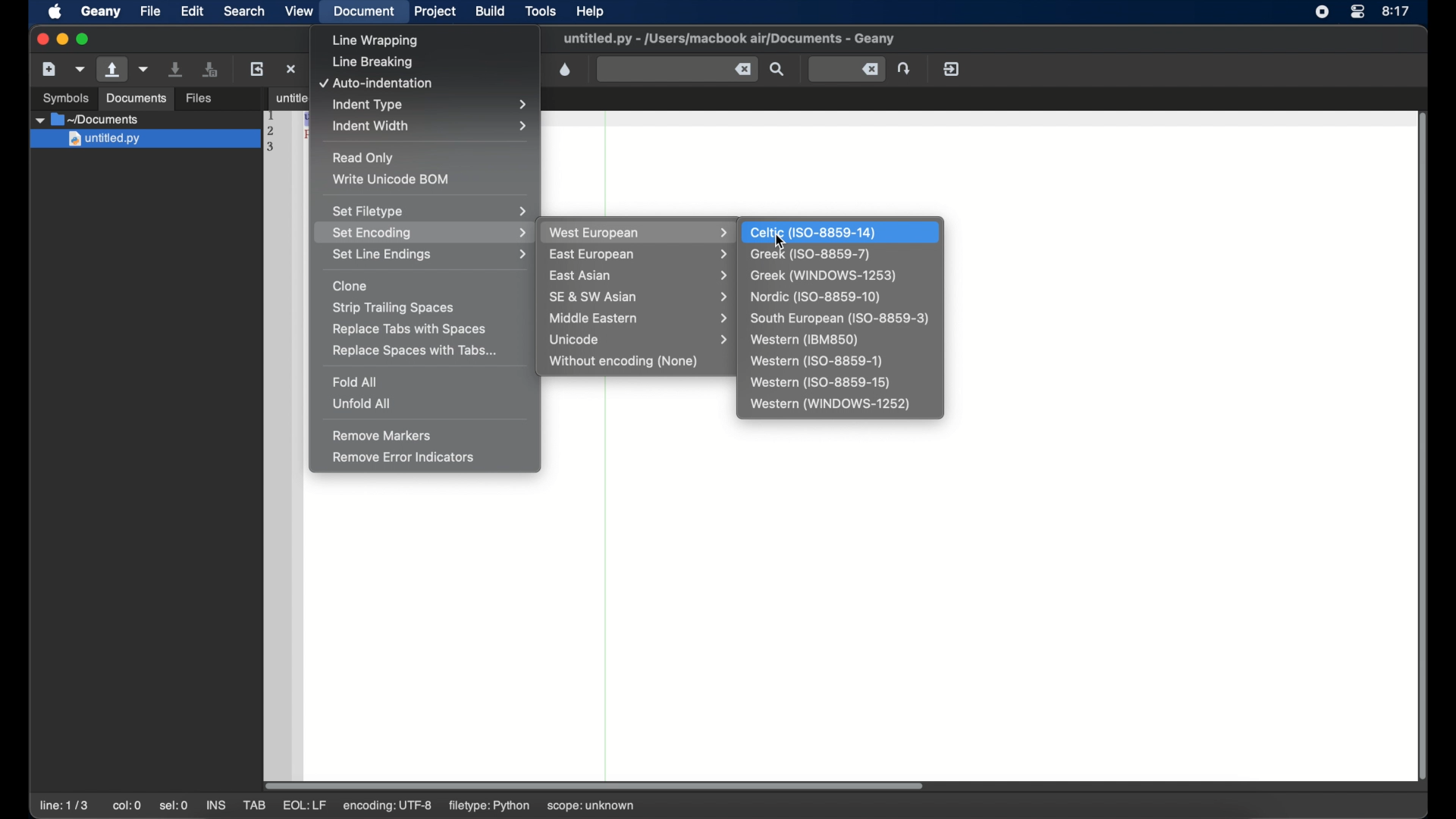 Image resolution: width=1456 pixels, height=819 pixels. What do you see at coordinates (350, 286) in the screenshot?
I see `clone` at bounding box center [350, 286].